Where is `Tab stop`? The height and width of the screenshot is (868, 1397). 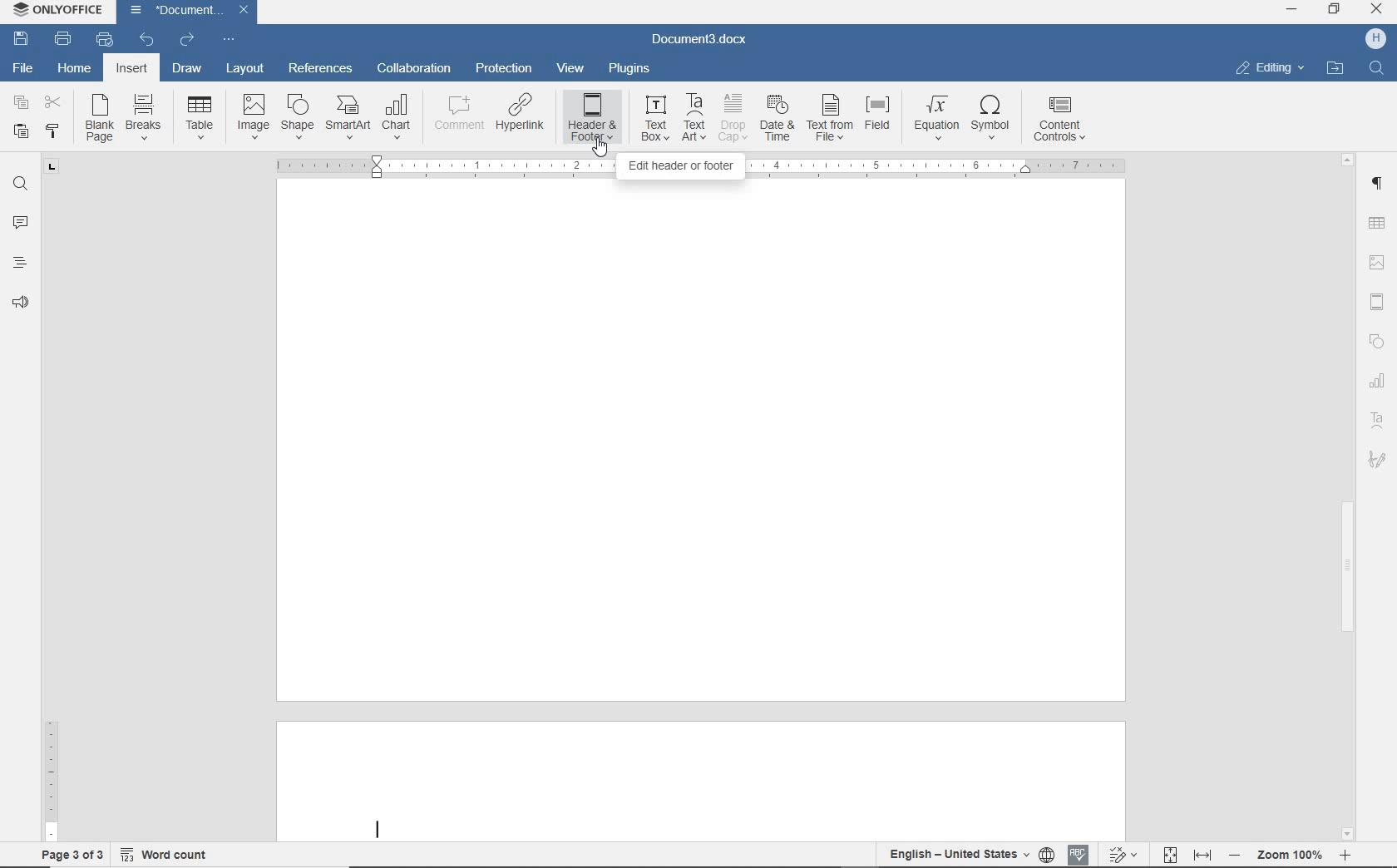
Tab stop is located at coordinates (53, 172).